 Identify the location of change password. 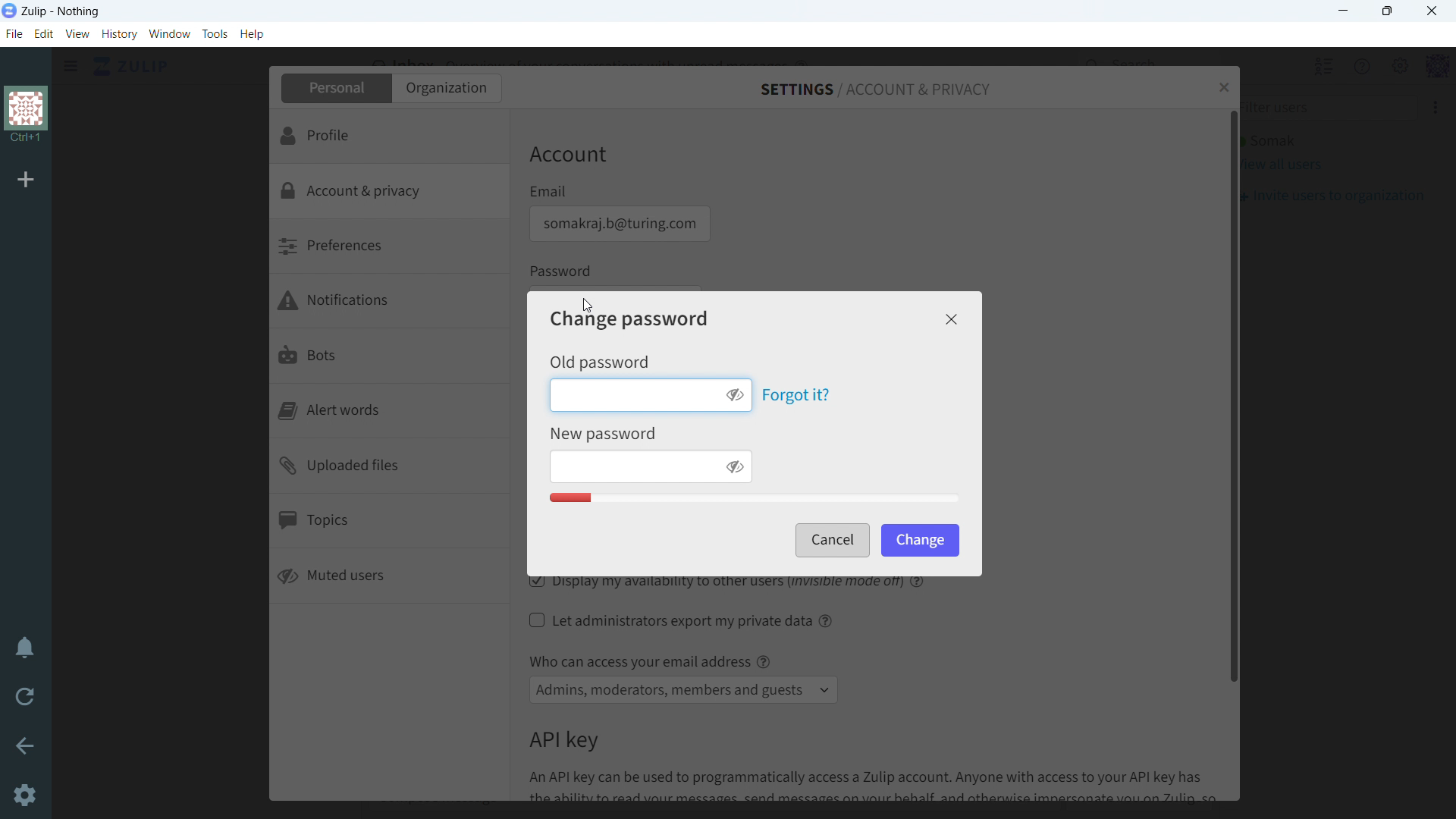
(630, 318).